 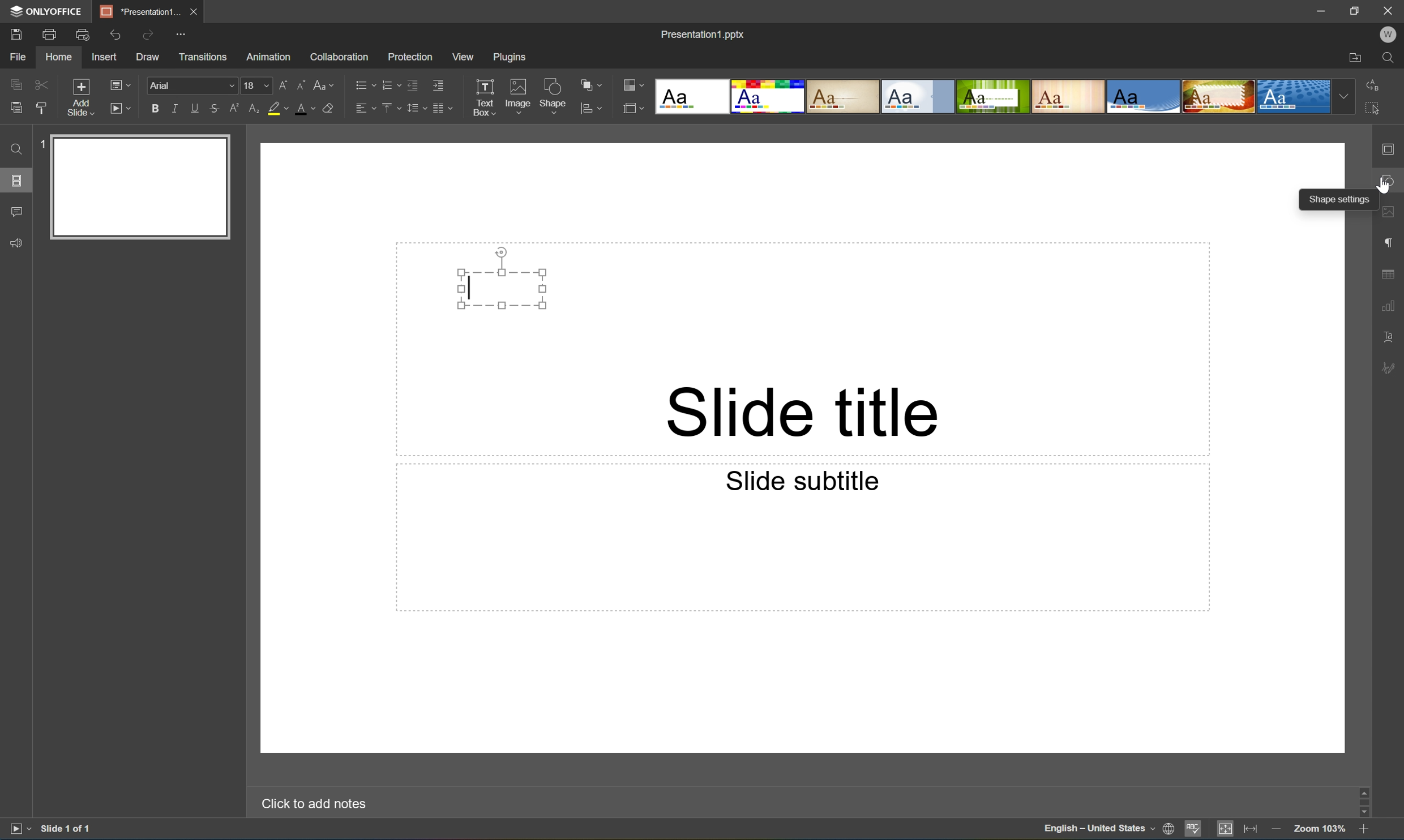 What do you see at coordinates (1372, 83) in the screenshot?
I see `Replace` at bounding box center [1372, 83].